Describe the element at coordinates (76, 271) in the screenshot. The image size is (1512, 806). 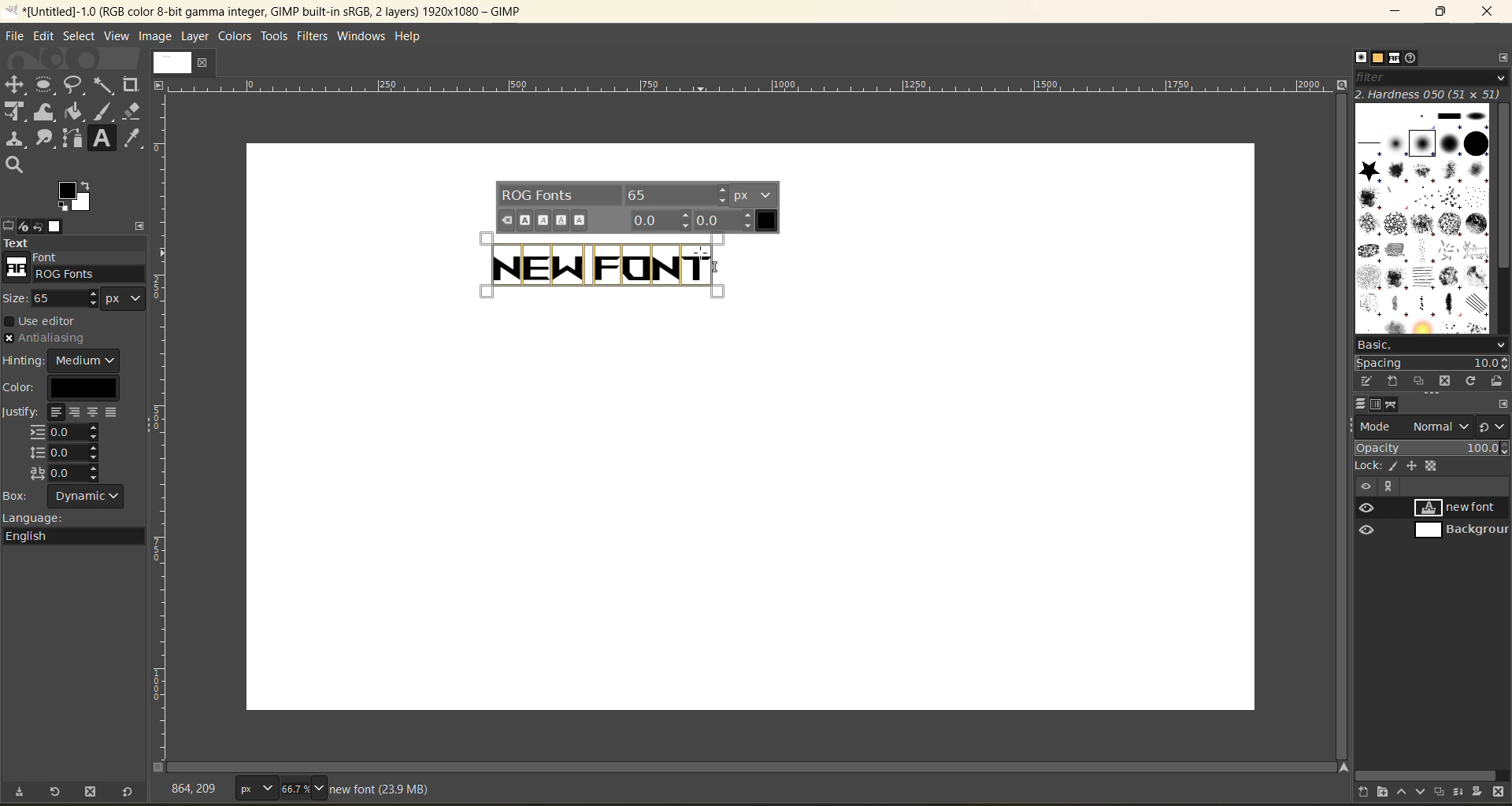
I see `font` at that location.